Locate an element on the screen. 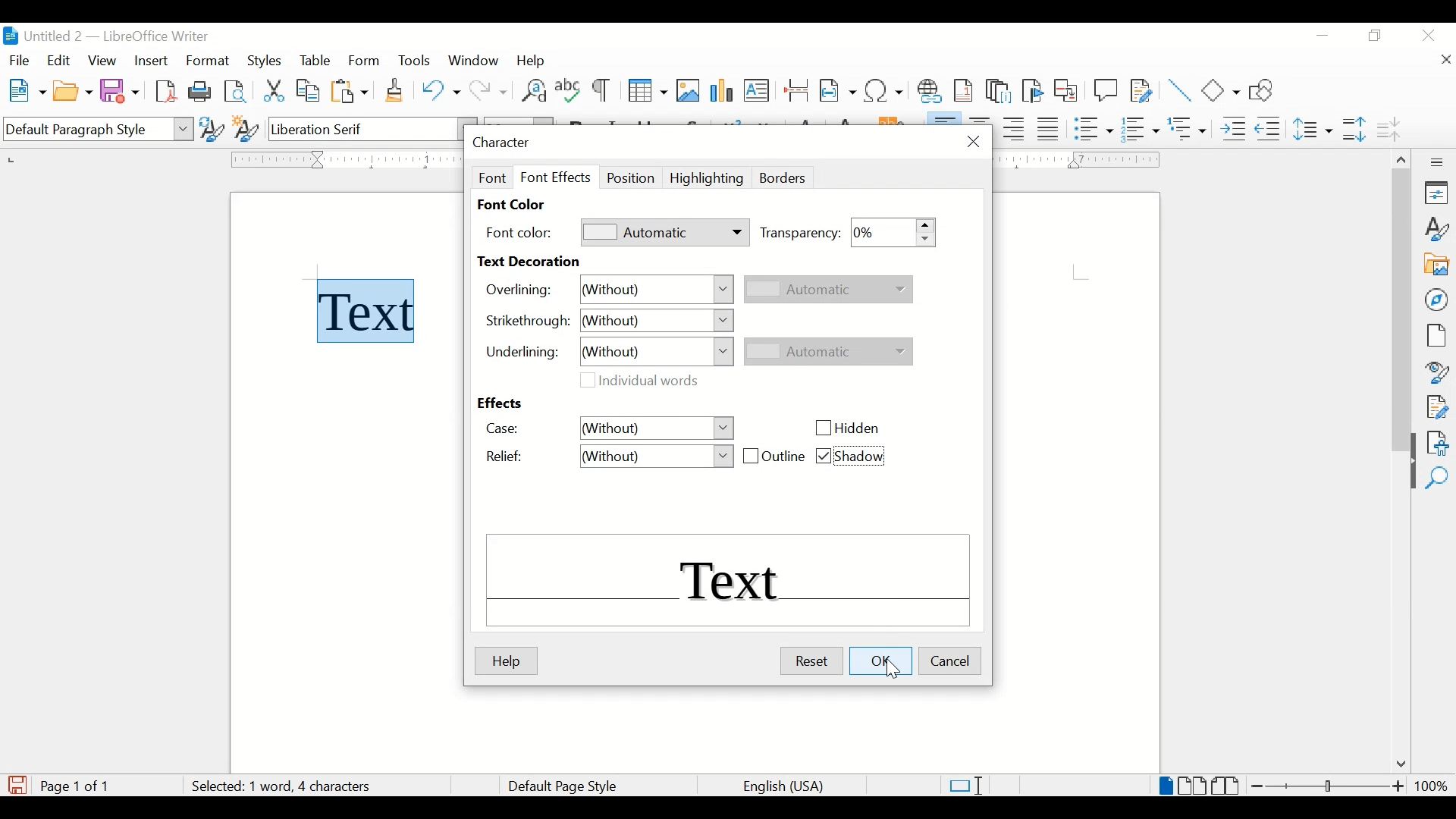 This screenshot has height=819, width=1456. decrease indent is located at coordinates (1269, 128).